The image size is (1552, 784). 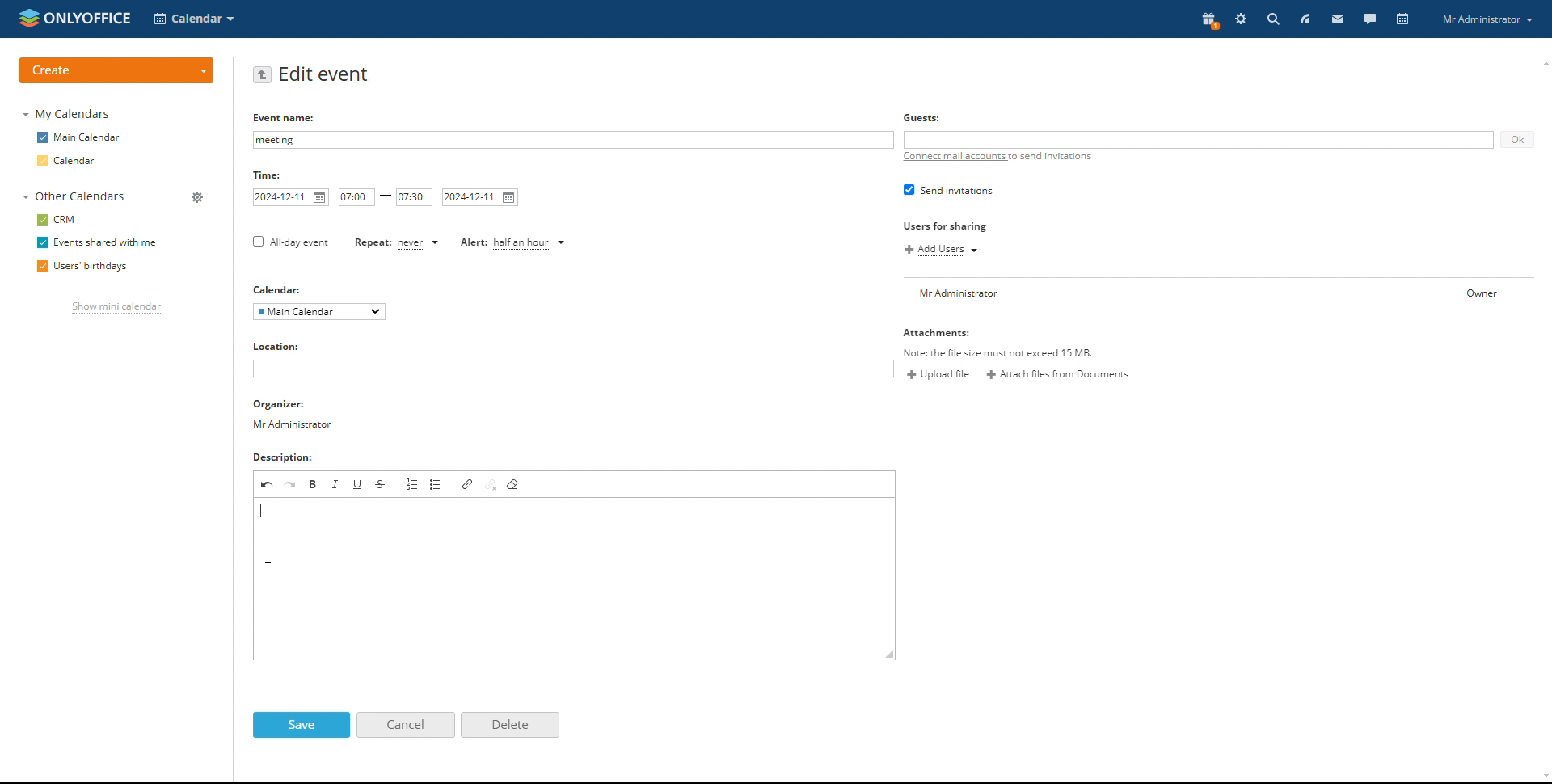 What do you see at coordinates (1404, 19) in the screenshot?
I see `calendar` at bounding box center [1404, 19].